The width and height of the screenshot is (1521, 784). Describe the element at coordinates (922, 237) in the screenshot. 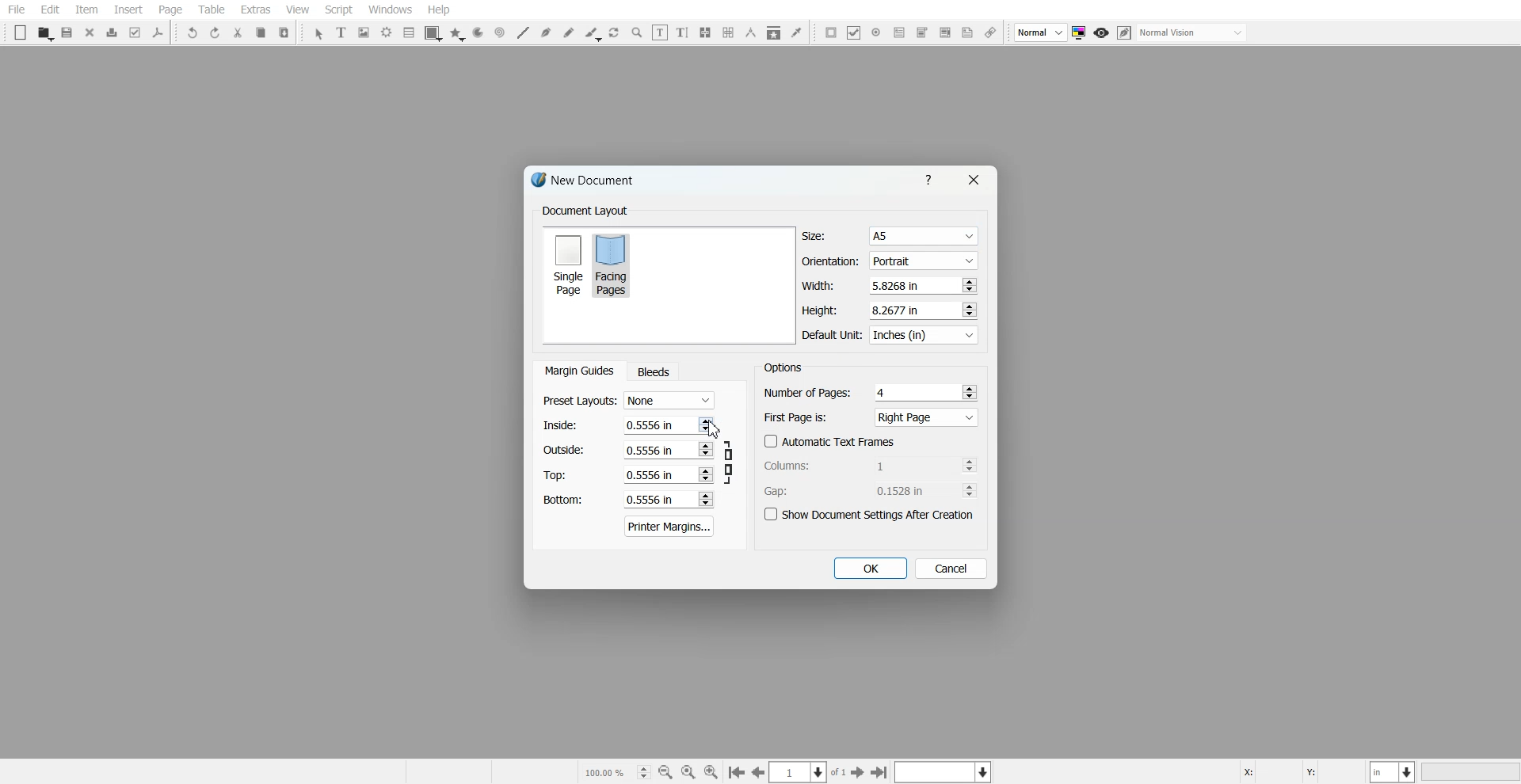

I see `A5` at that location.